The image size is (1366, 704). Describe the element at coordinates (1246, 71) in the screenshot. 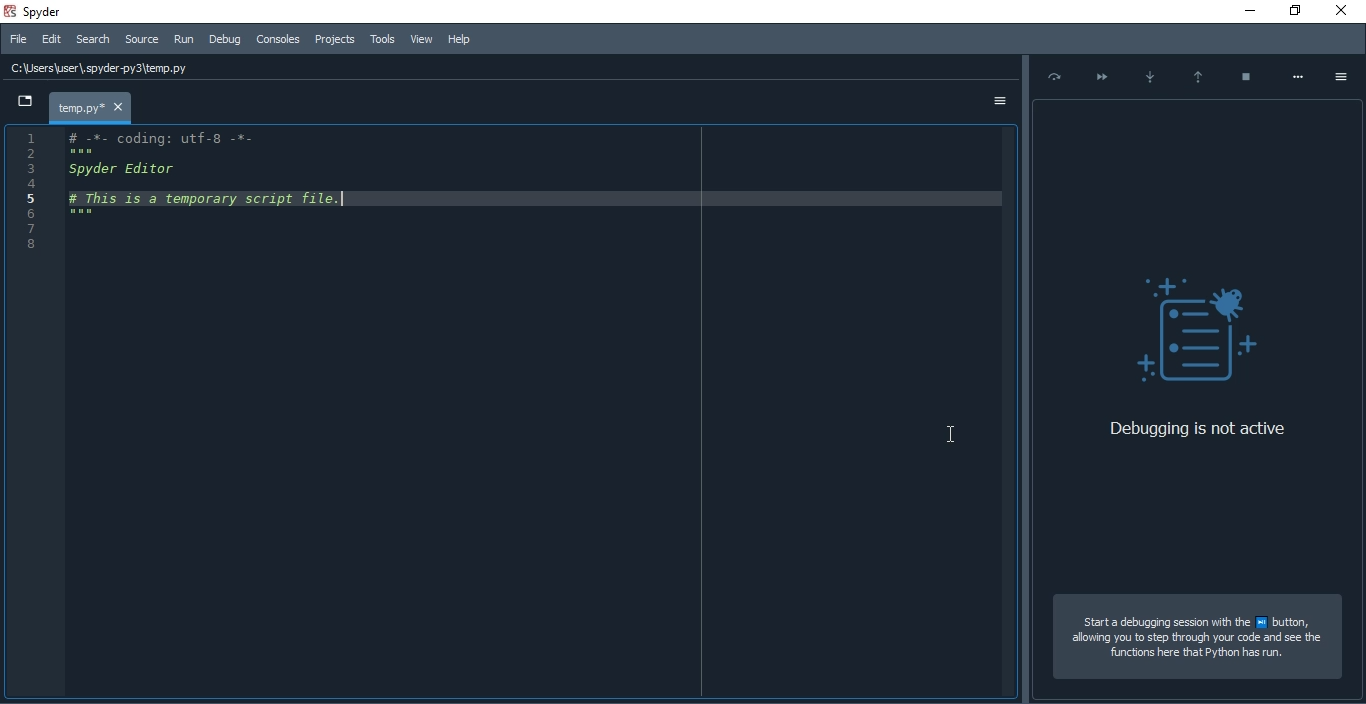

I see `Stop debugging` at that location.